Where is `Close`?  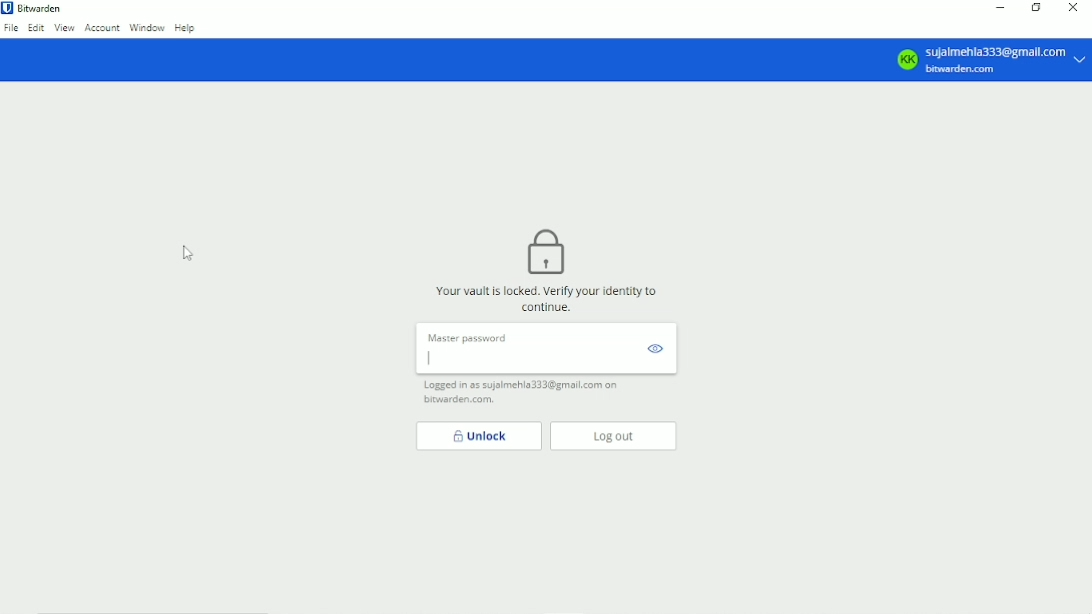
Close is located at coordinates (1075, 9).